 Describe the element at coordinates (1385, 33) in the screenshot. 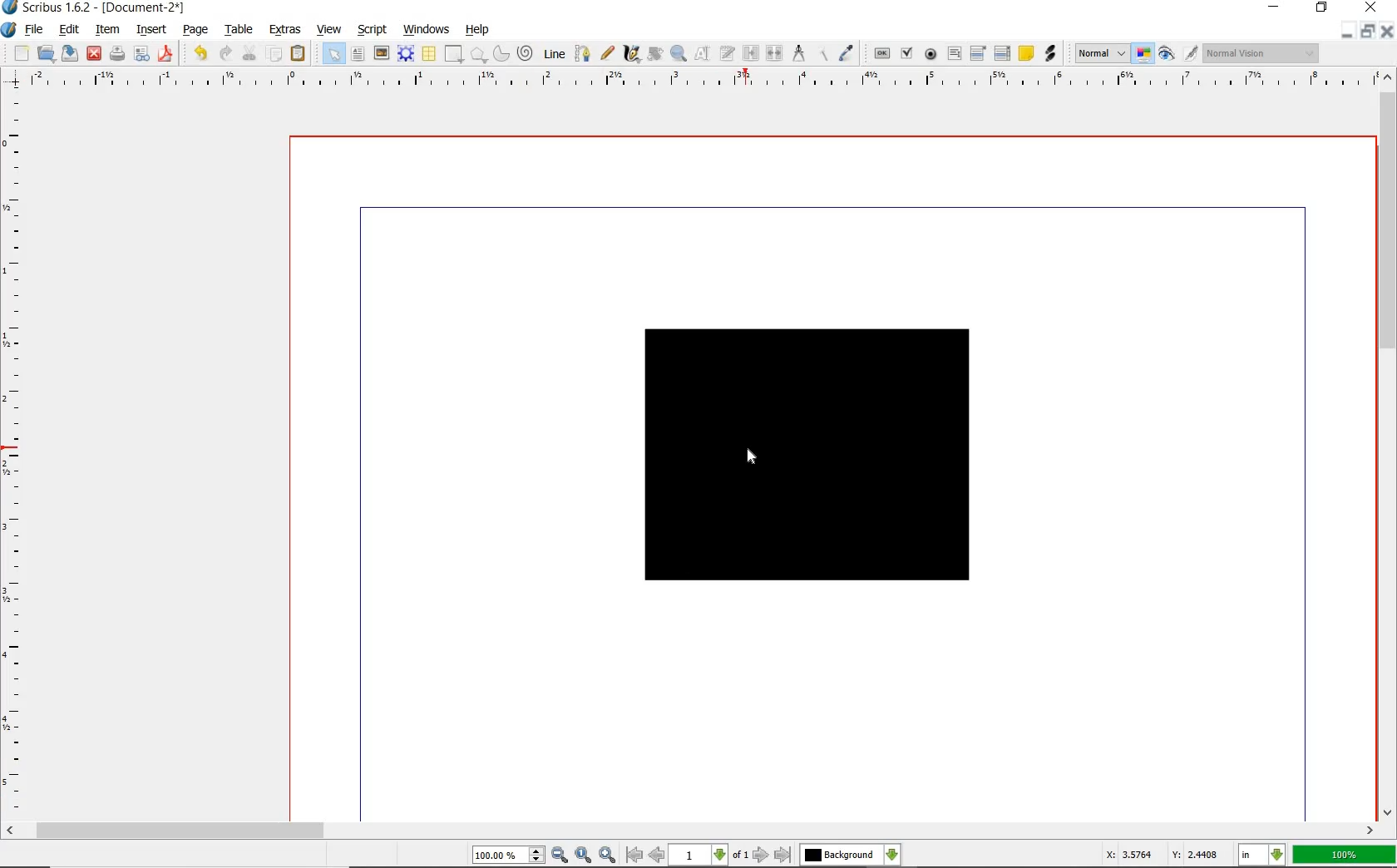

I see `CLOSE` at that location.